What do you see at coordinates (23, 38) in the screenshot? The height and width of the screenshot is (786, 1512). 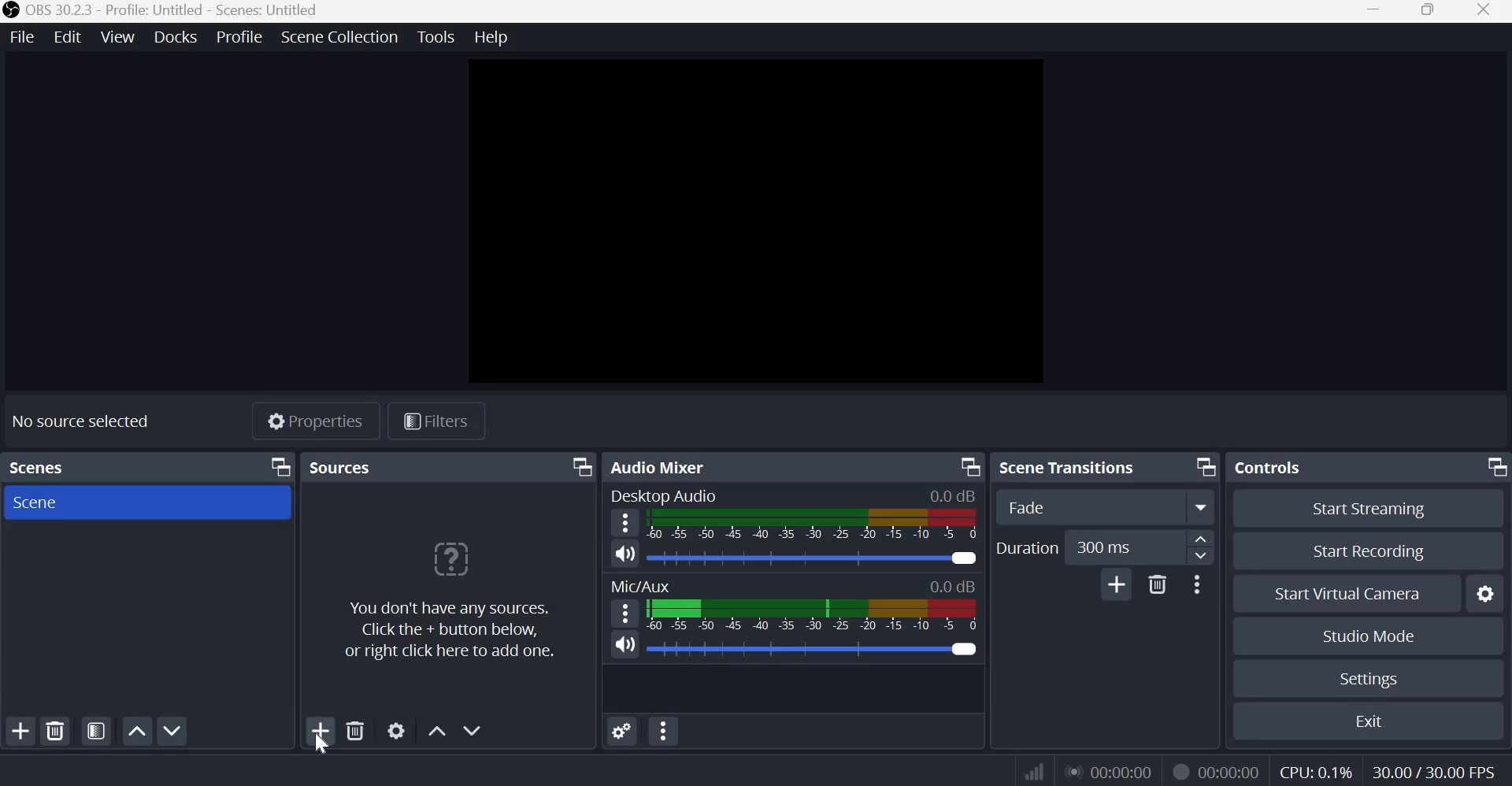 I see `File` at bounding box center [23, 38].